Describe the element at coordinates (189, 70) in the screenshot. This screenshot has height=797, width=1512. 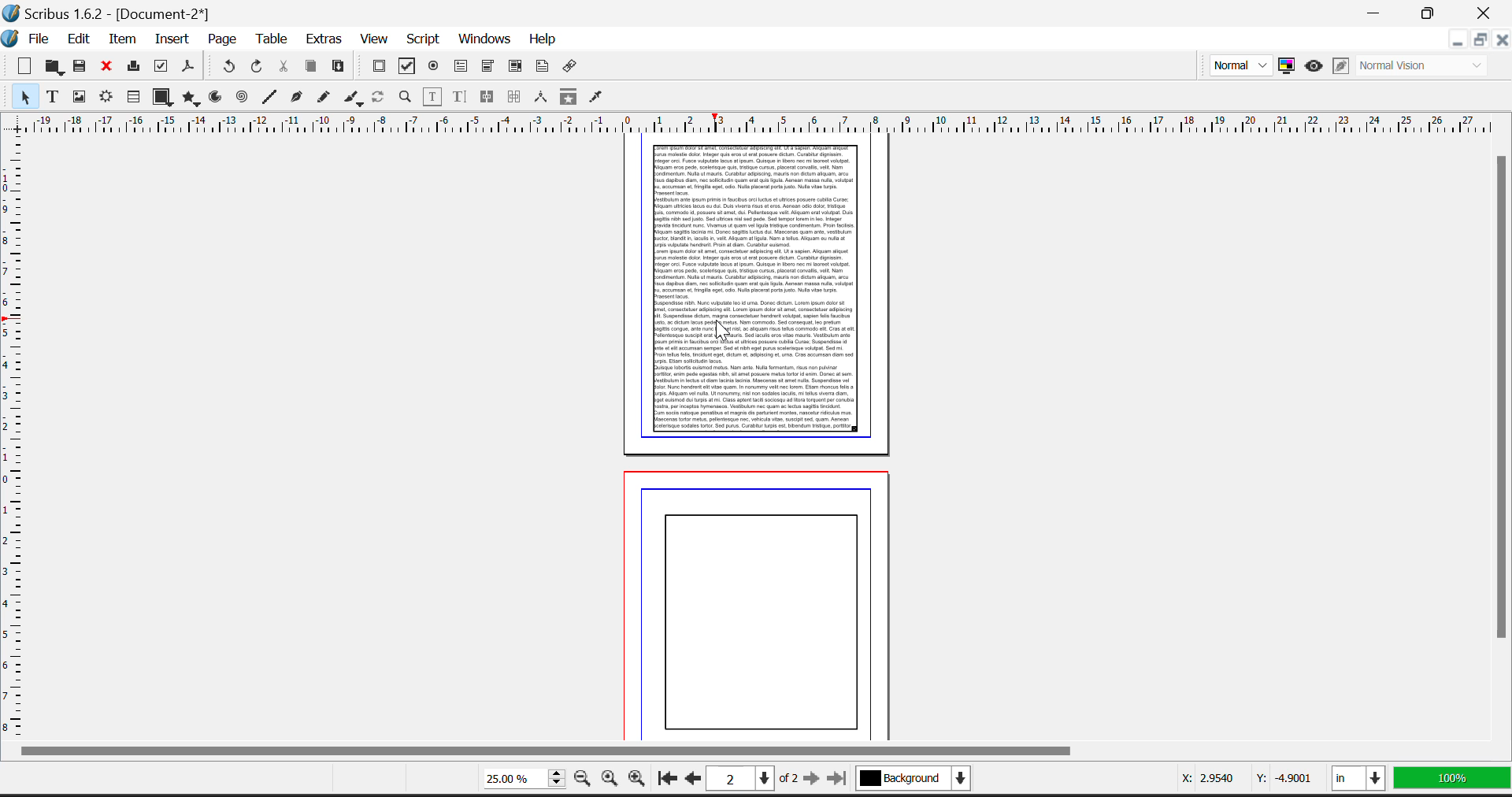
I see `Export as PDF` at that location.